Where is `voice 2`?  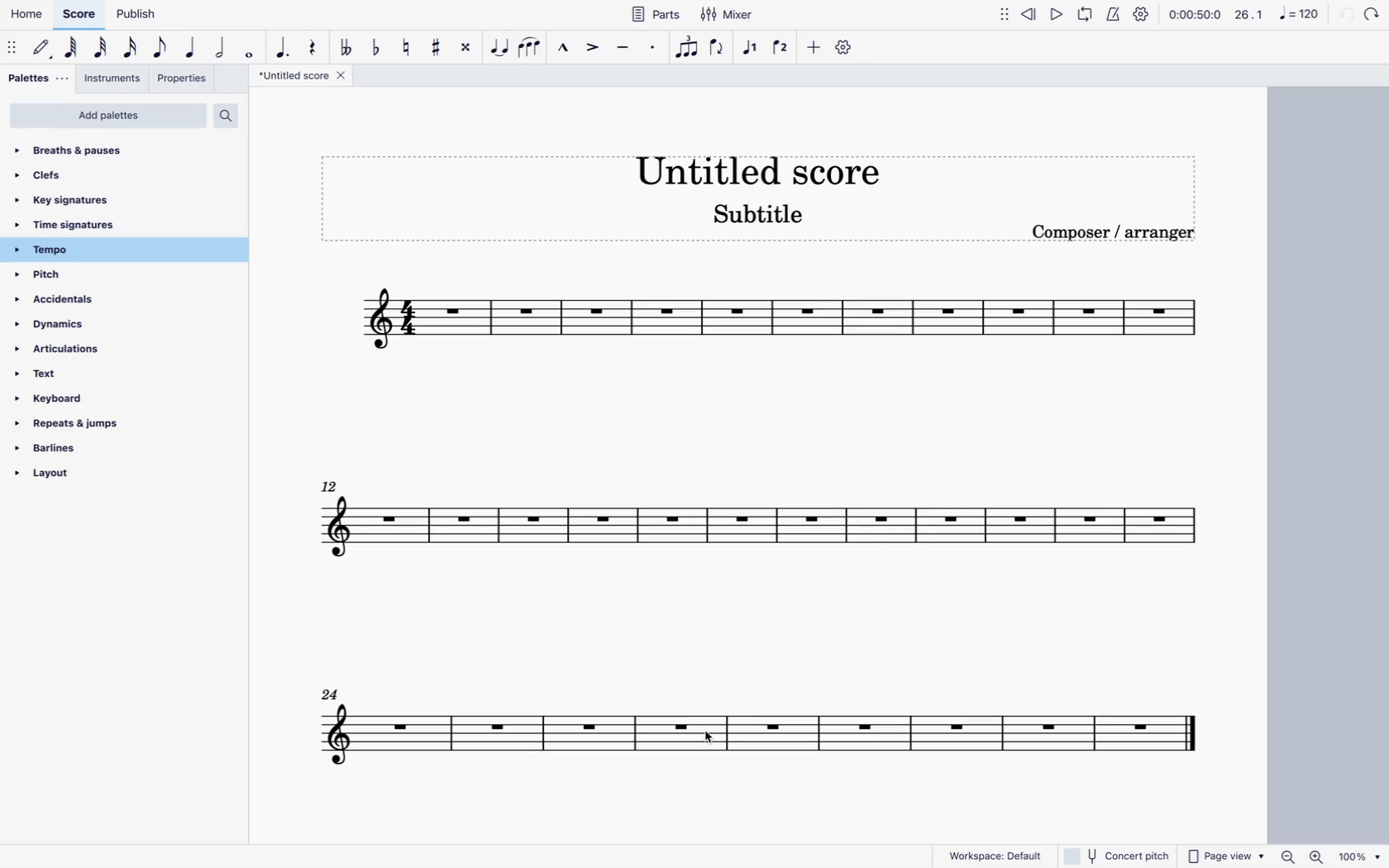 voice 2 is located at coordinates (783, 43).